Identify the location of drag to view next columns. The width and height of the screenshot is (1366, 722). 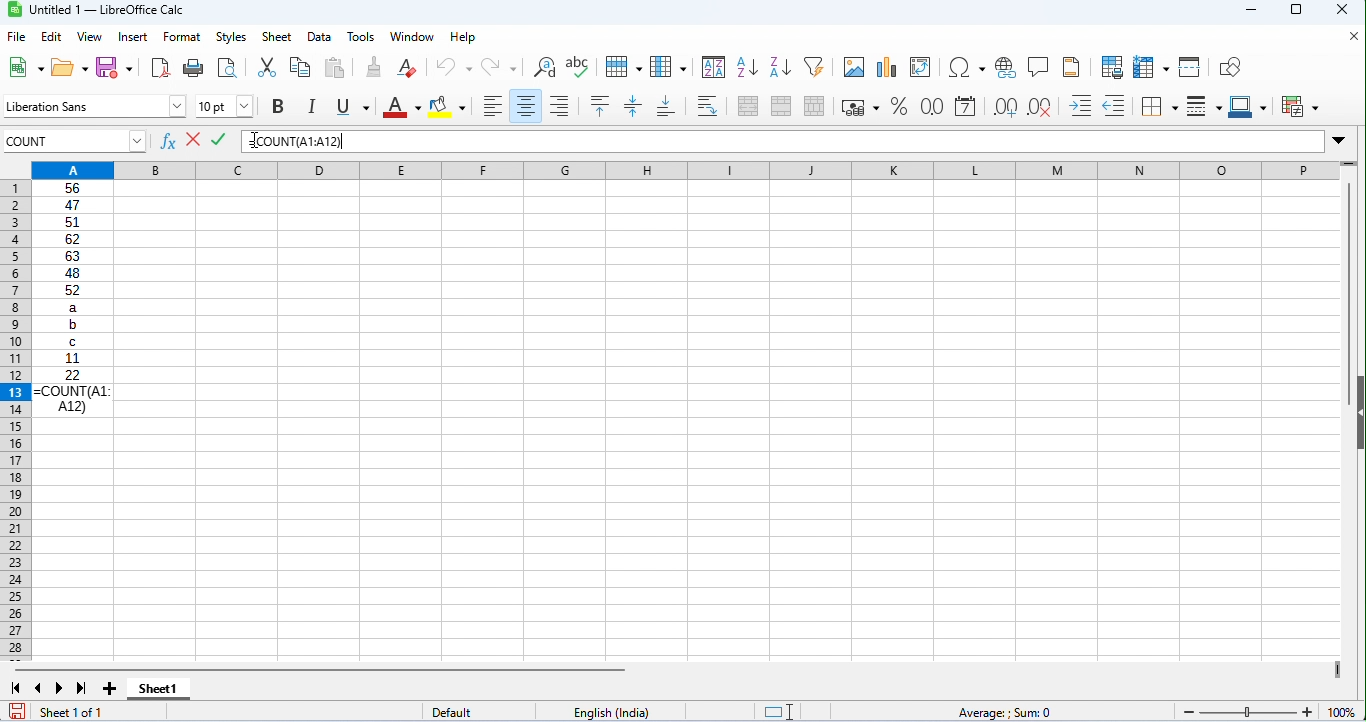
(1339, 670).